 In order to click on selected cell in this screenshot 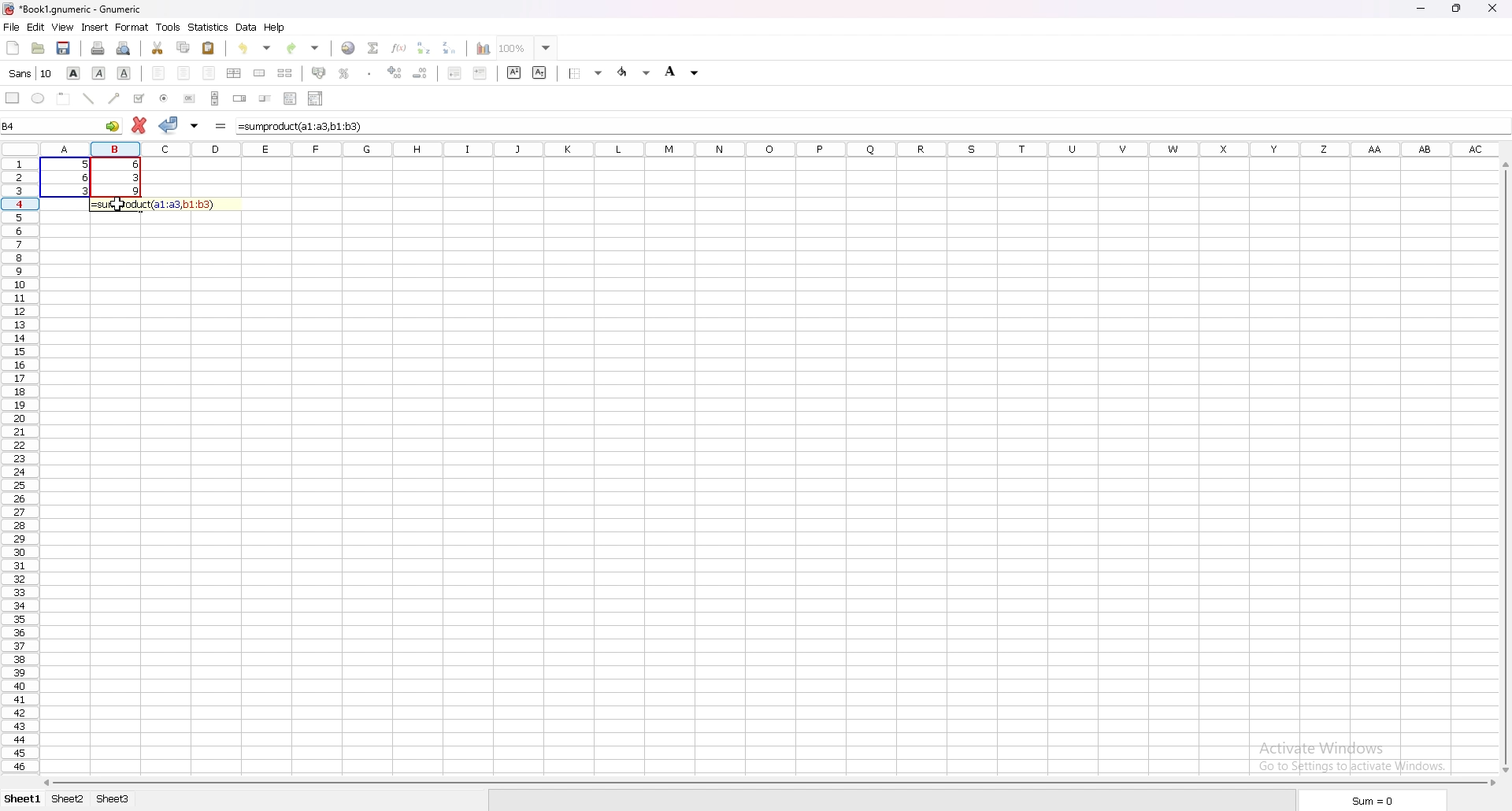, I will do `click(62, 125)`.